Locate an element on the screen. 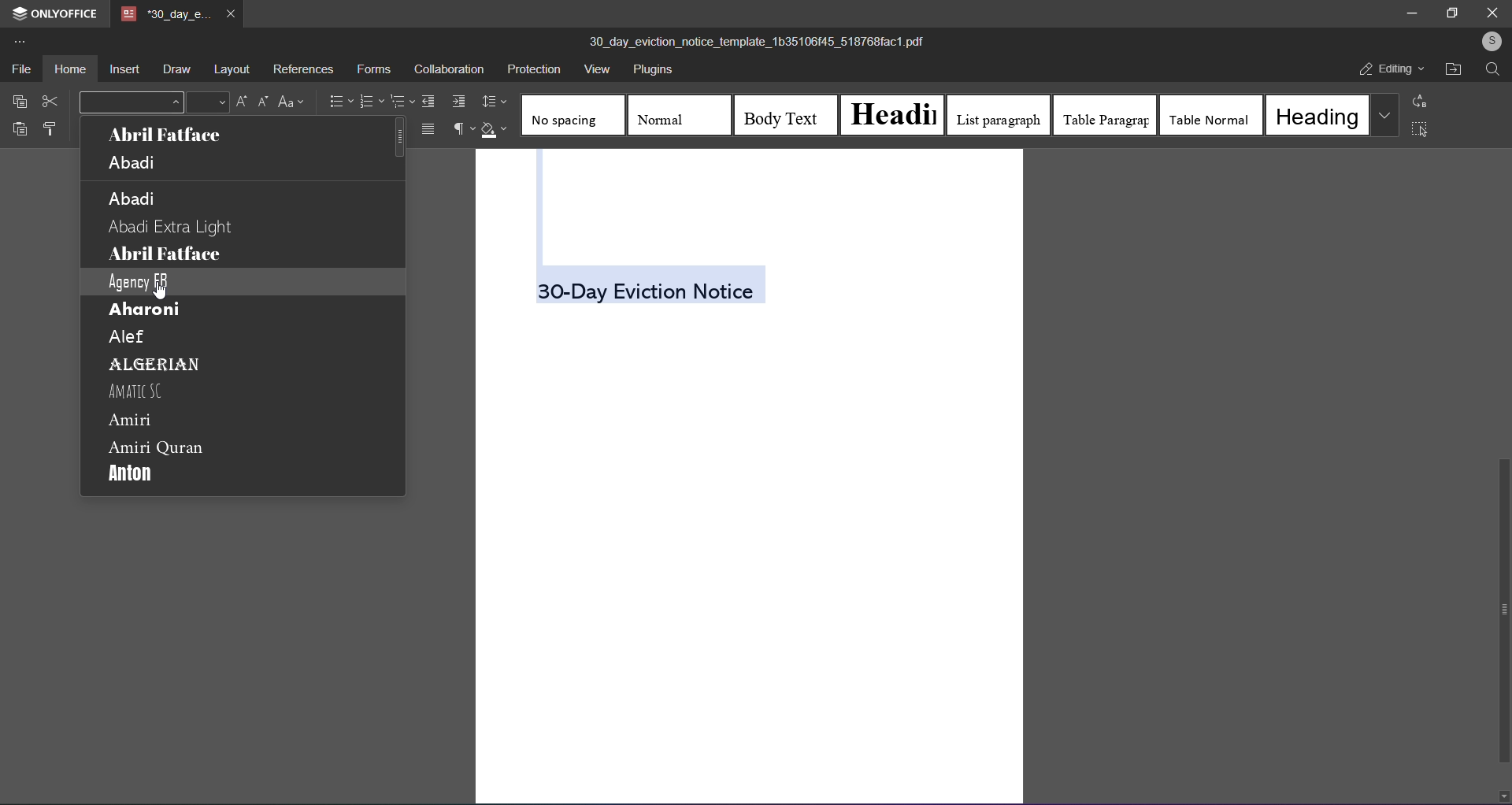 The width and height of the screenshot is (1512, 805). down is located at coordinates (1503, 794).